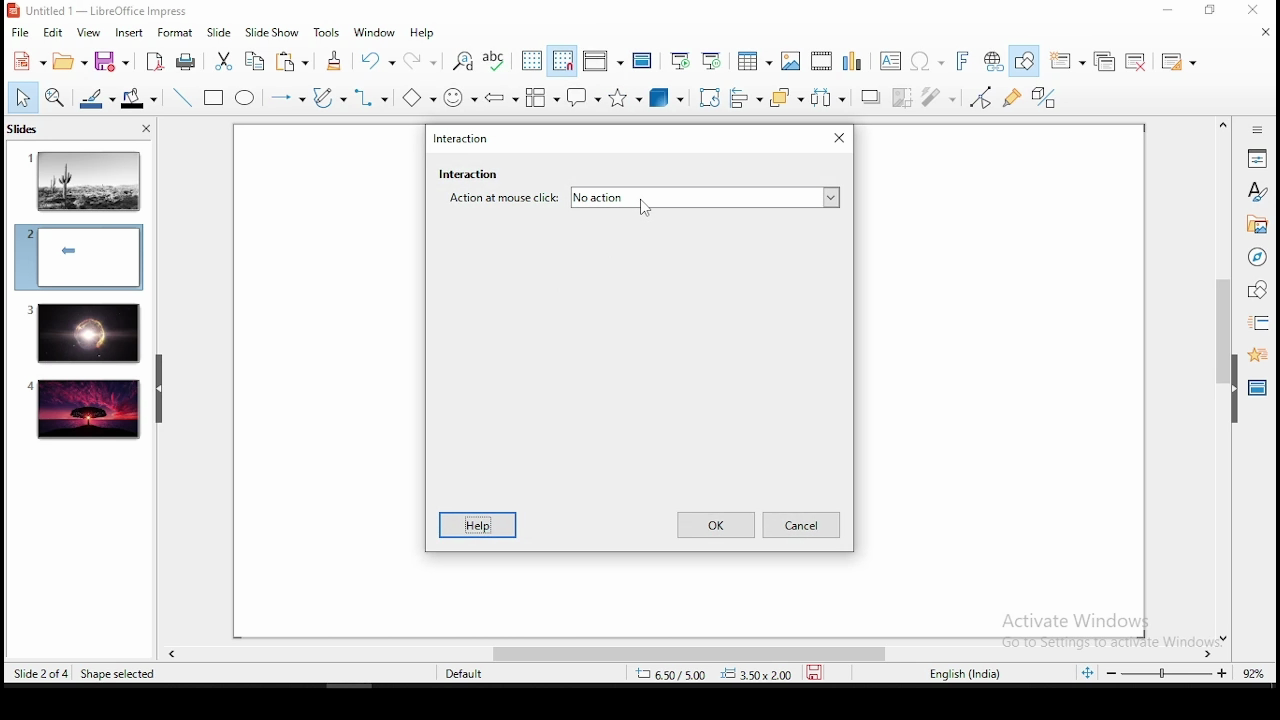 Image resolution: width=1280 pixels, height=720 pixels. Describe the element at coordinates (144, 131) in the screenshot. I see `close` at that location.